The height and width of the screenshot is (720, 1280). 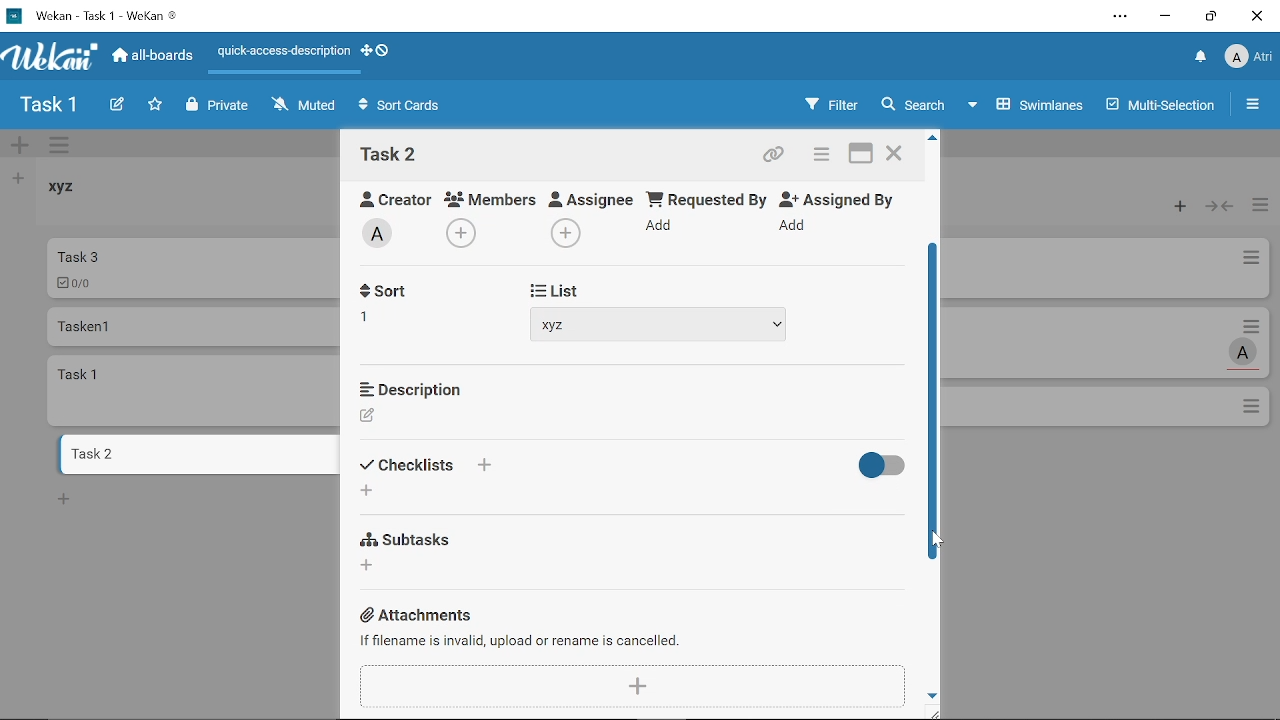 What do you see at coordinates (1163, 107) in the screenshot?
I see `Multilanes` at bounding box center [1163, 107].